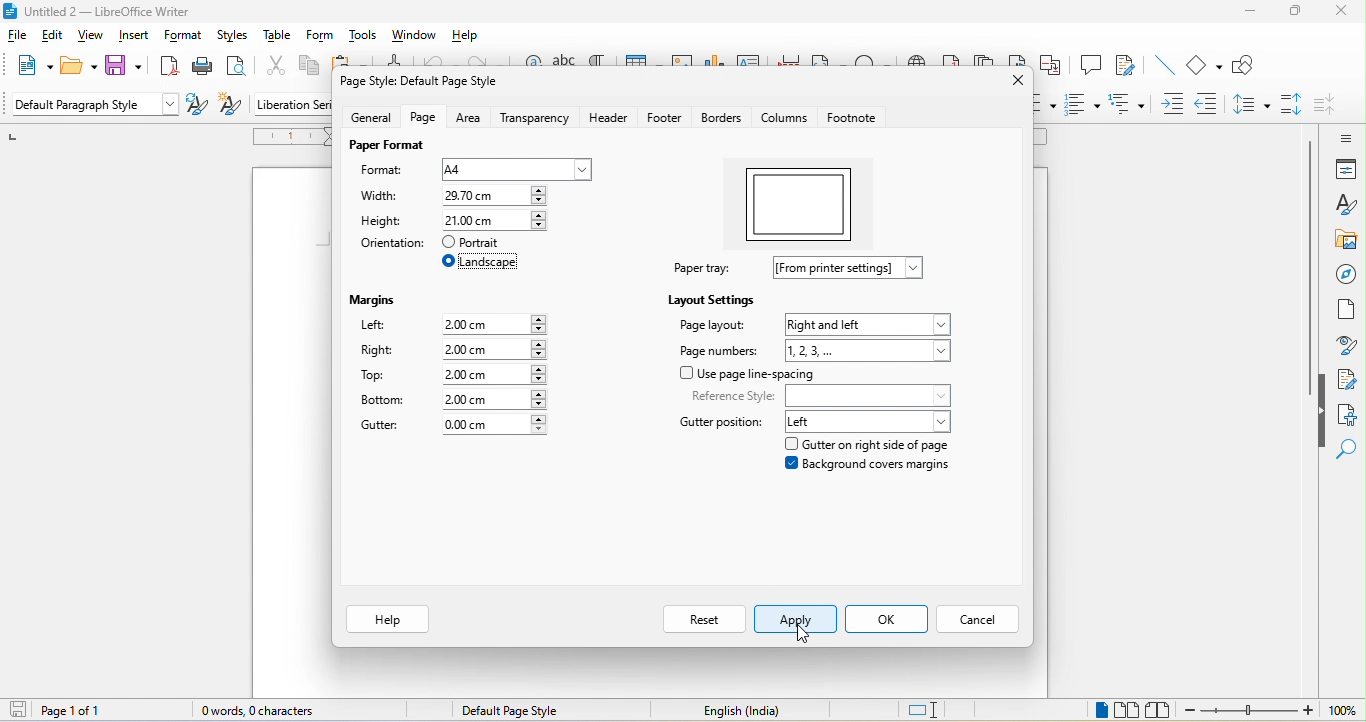 The height and width of the screenshot is (722, 1366). Describe the element at coordinates (1308, 269) in the screenshot. I see `vertical scroll bar` at that location.